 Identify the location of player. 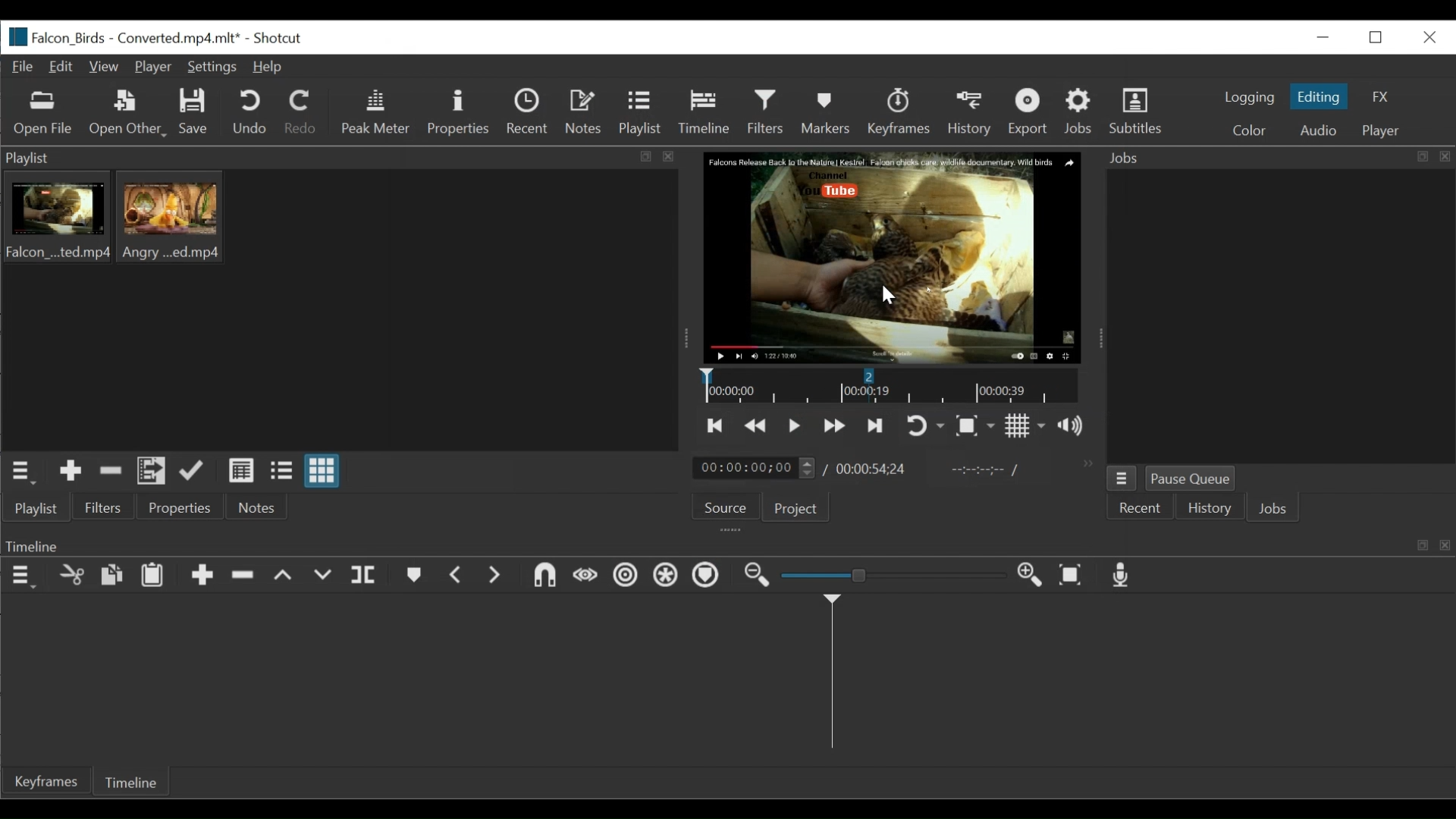
(1385, 132).